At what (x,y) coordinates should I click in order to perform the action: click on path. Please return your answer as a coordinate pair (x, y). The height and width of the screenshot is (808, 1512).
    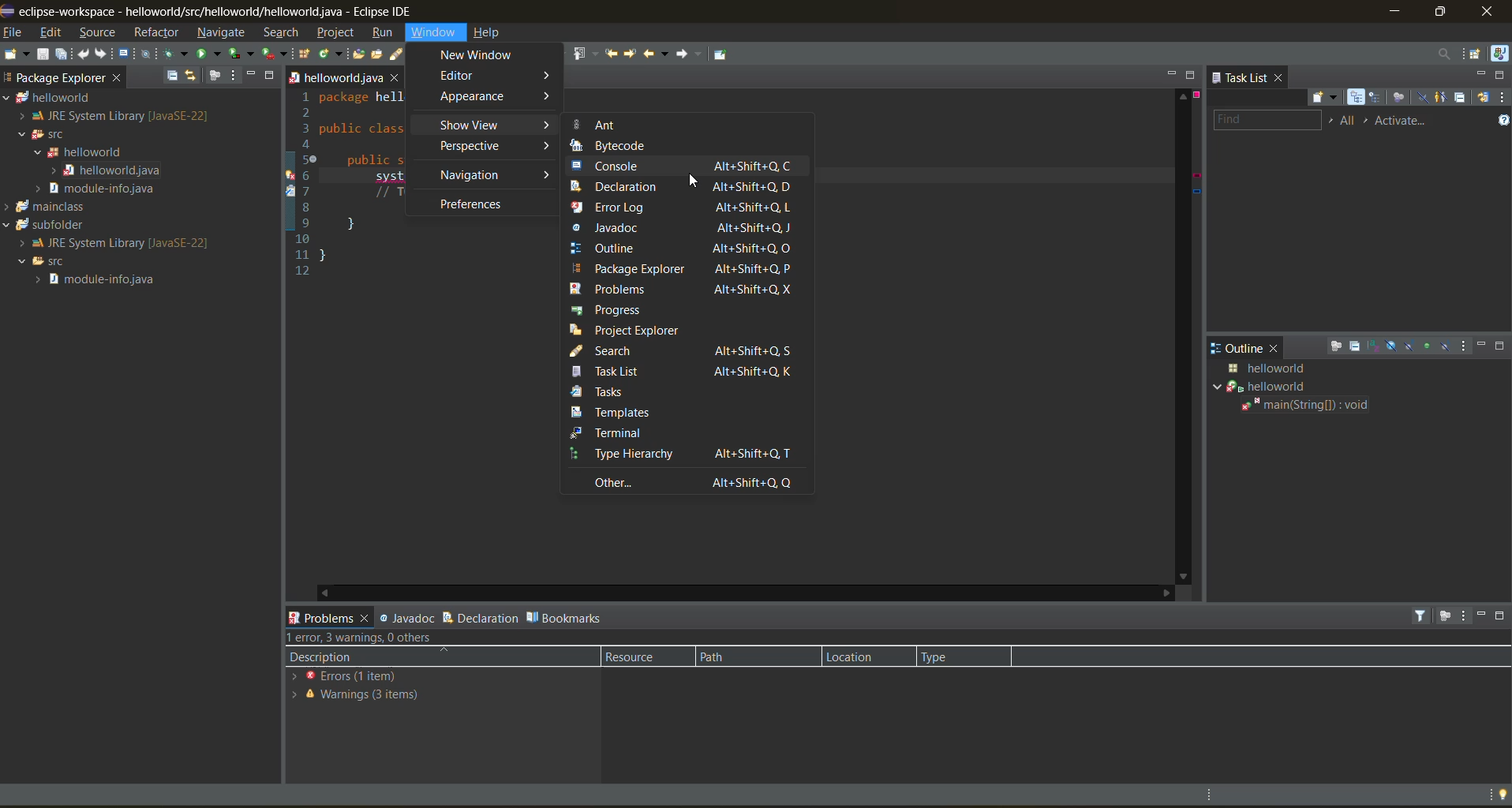
    Looking at the image, I should click on (746, 658).